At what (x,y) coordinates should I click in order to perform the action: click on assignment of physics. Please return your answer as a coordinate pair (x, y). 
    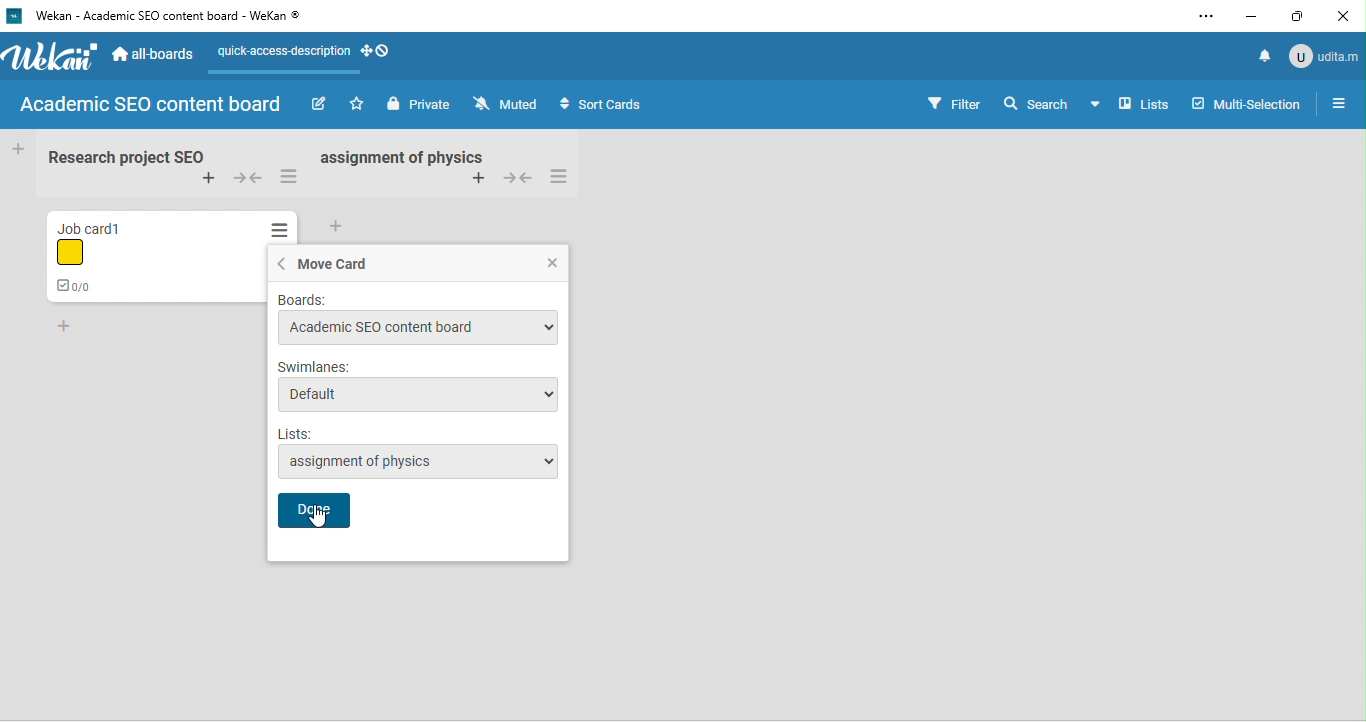
    Looking at the image, I should click on (415, 158).